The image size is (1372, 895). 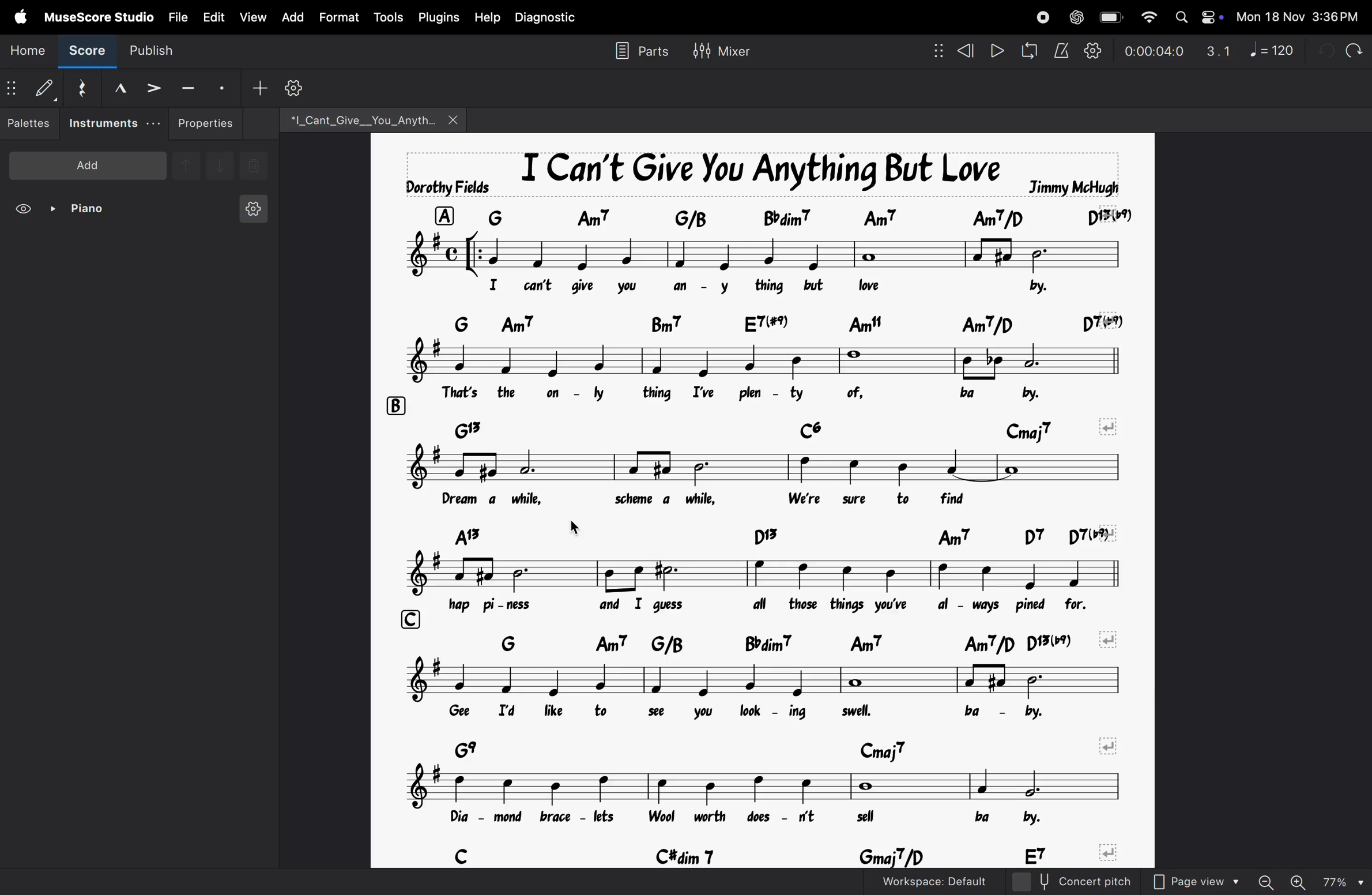 What do you see at coordinates (1091, 51) in the screenshot?
I see `playback settings` at bounding box center [1091, 51].